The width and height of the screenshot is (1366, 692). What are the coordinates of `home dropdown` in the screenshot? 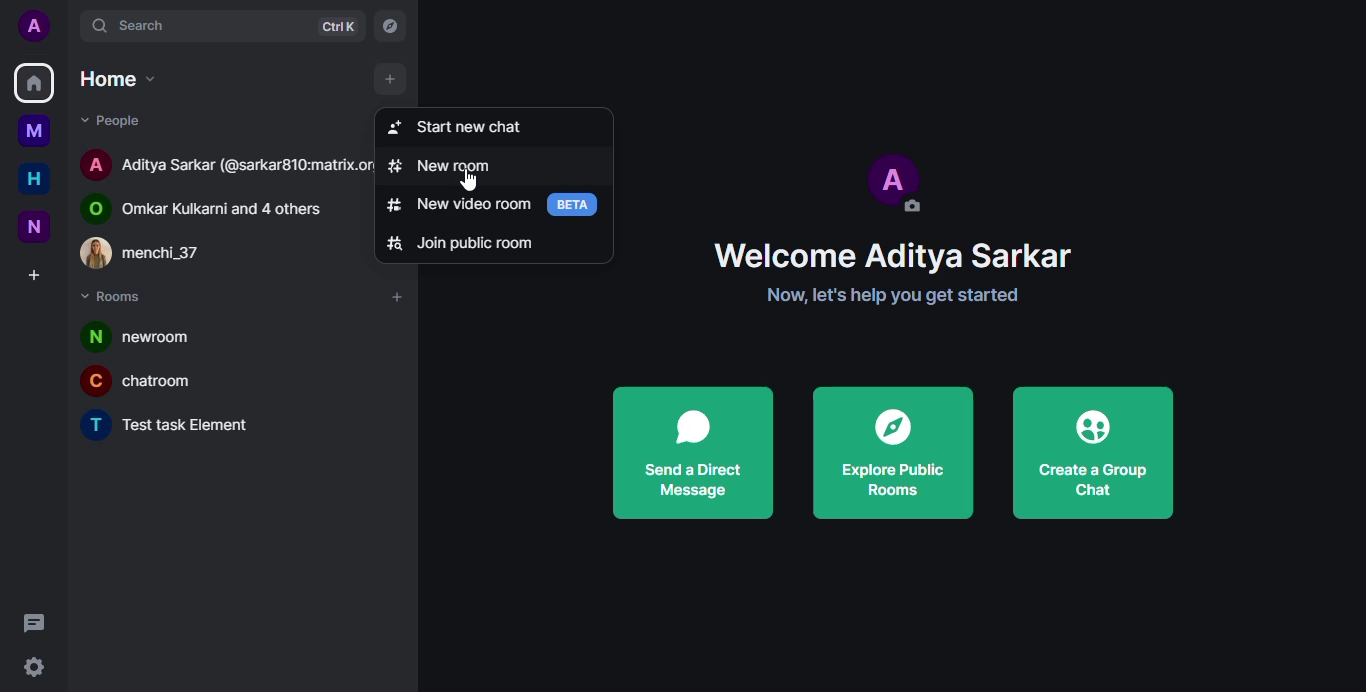 It's located at (125, 77).